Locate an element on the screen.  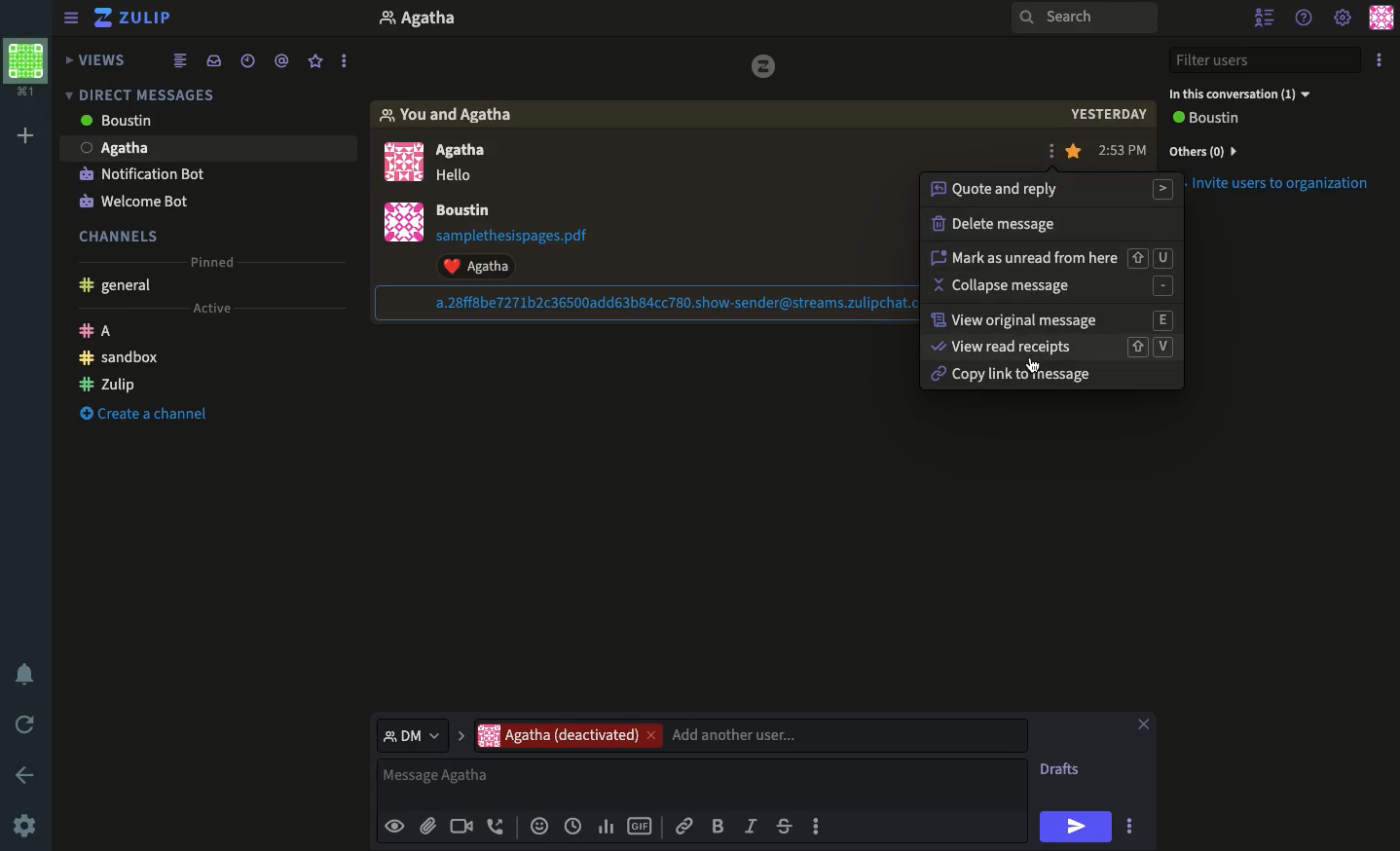
Preview is located at coordinates (394, 825).